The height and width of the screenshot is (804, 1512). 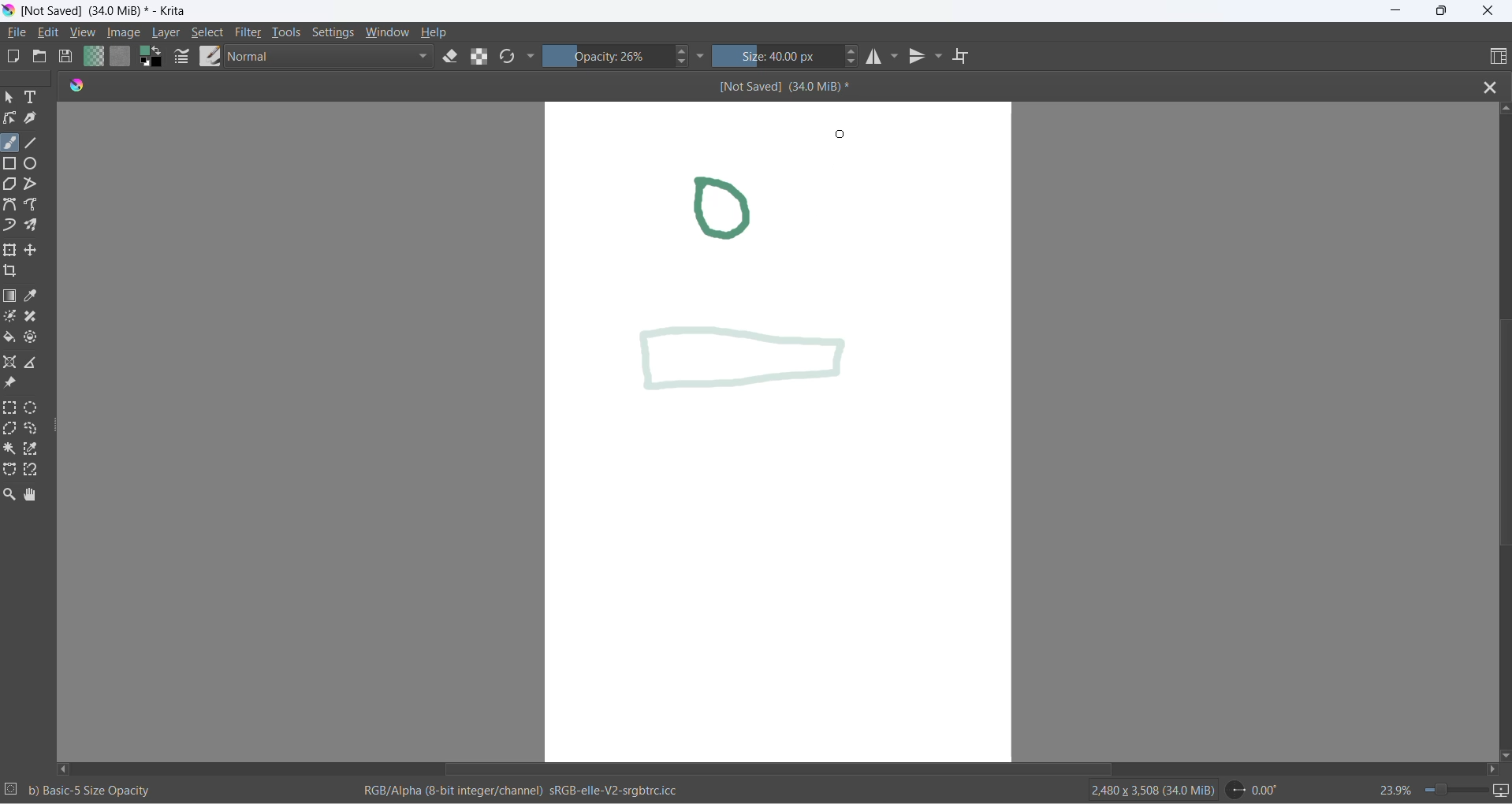 I want to click on dynamic brush tool, so click(x=13, y=225).